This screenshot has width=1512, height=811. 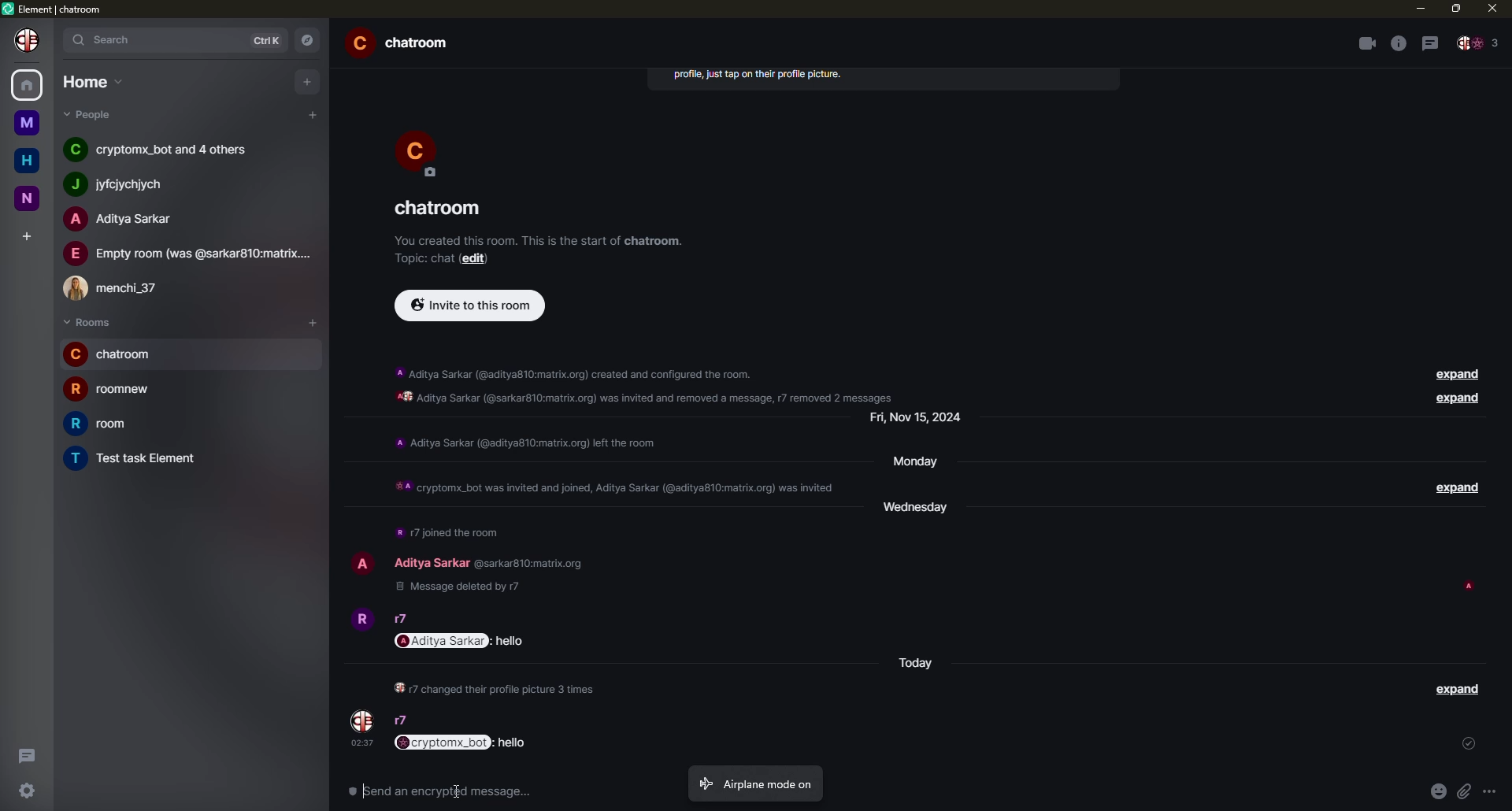 I want to click on people, so click(x=120, y=289).